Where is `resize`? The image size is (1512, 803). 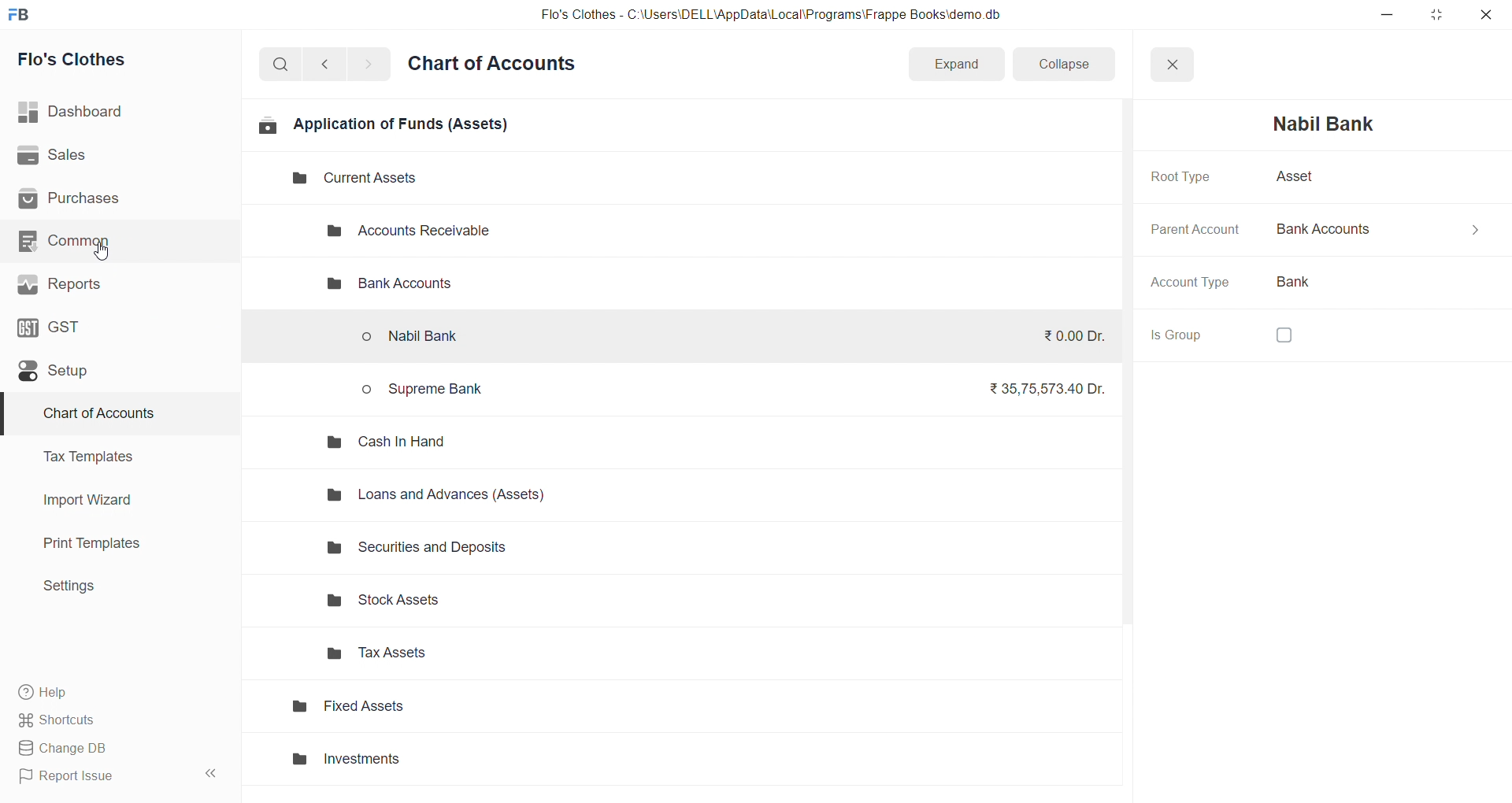 resize is located at coordinates (1436, 14).